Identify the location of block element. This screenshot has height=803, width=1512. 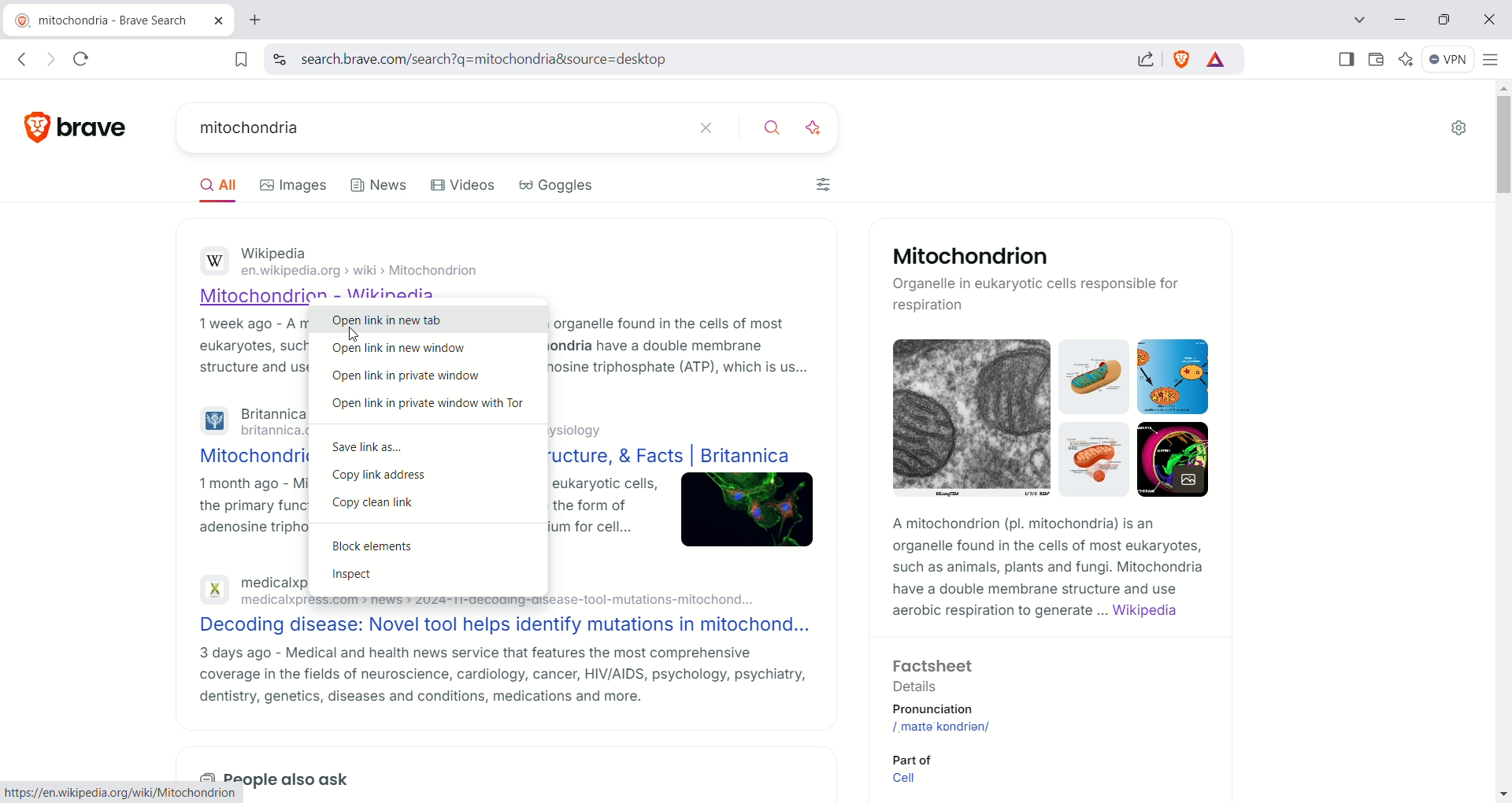
(372, 543).